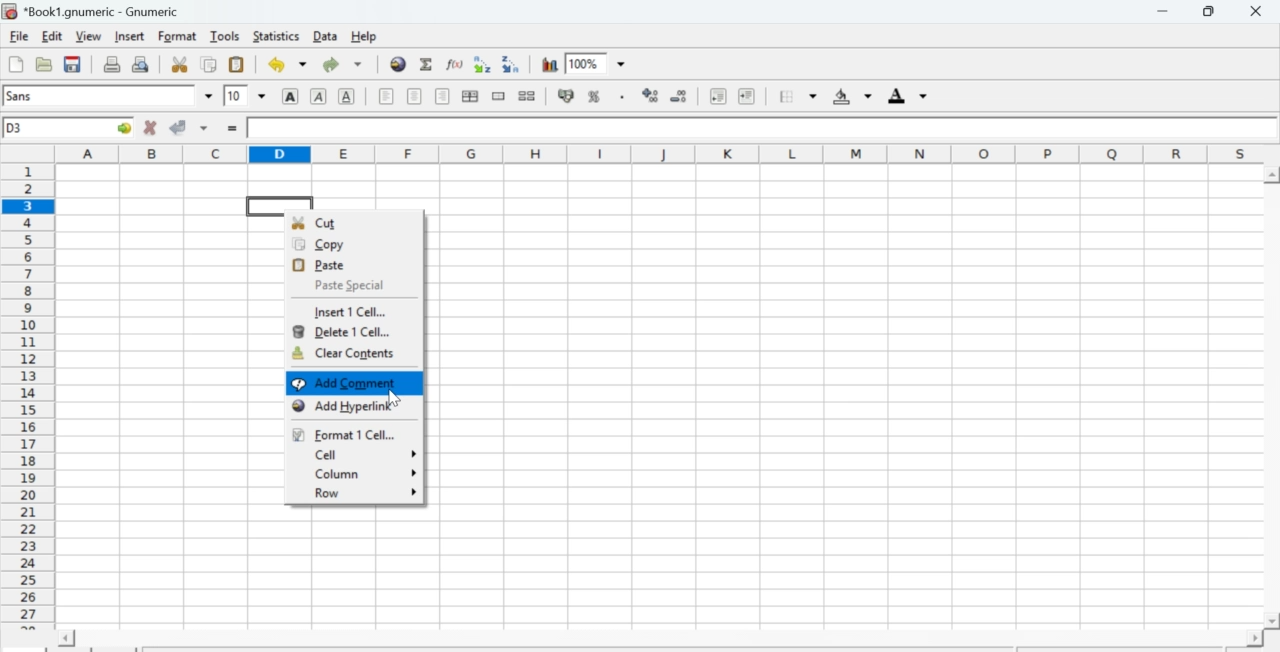 The image size is (1280, 652). What do you see at coordinates (395, 398) in the screenshot?
I see `cursor` at bounding box center [395, 398].